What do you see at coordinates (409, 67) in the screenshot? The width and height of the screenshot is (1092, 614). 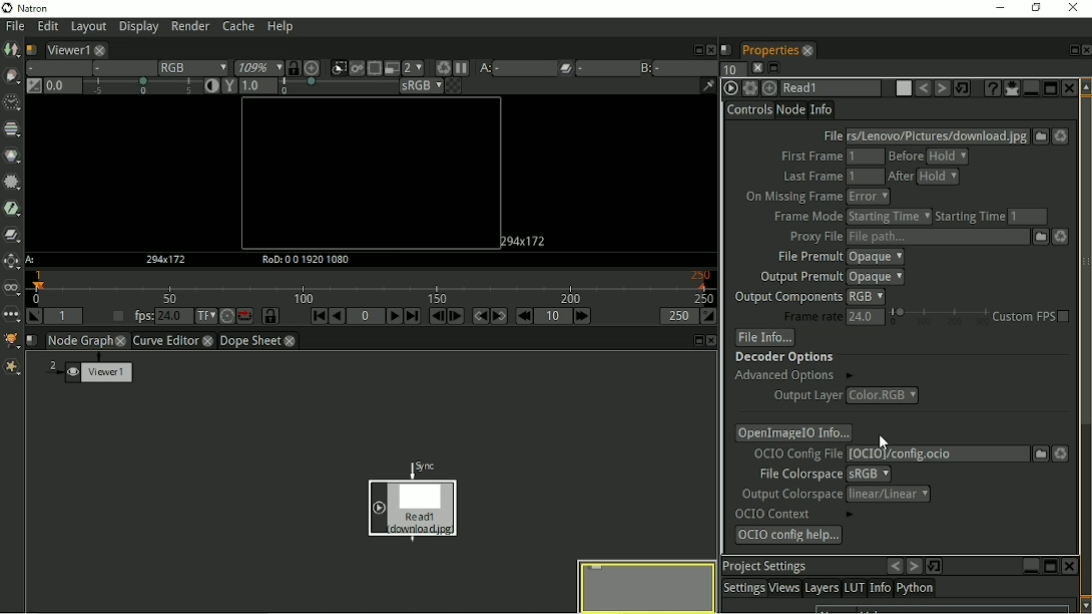 I see `Scale down render` at bounding box center [409, 67].